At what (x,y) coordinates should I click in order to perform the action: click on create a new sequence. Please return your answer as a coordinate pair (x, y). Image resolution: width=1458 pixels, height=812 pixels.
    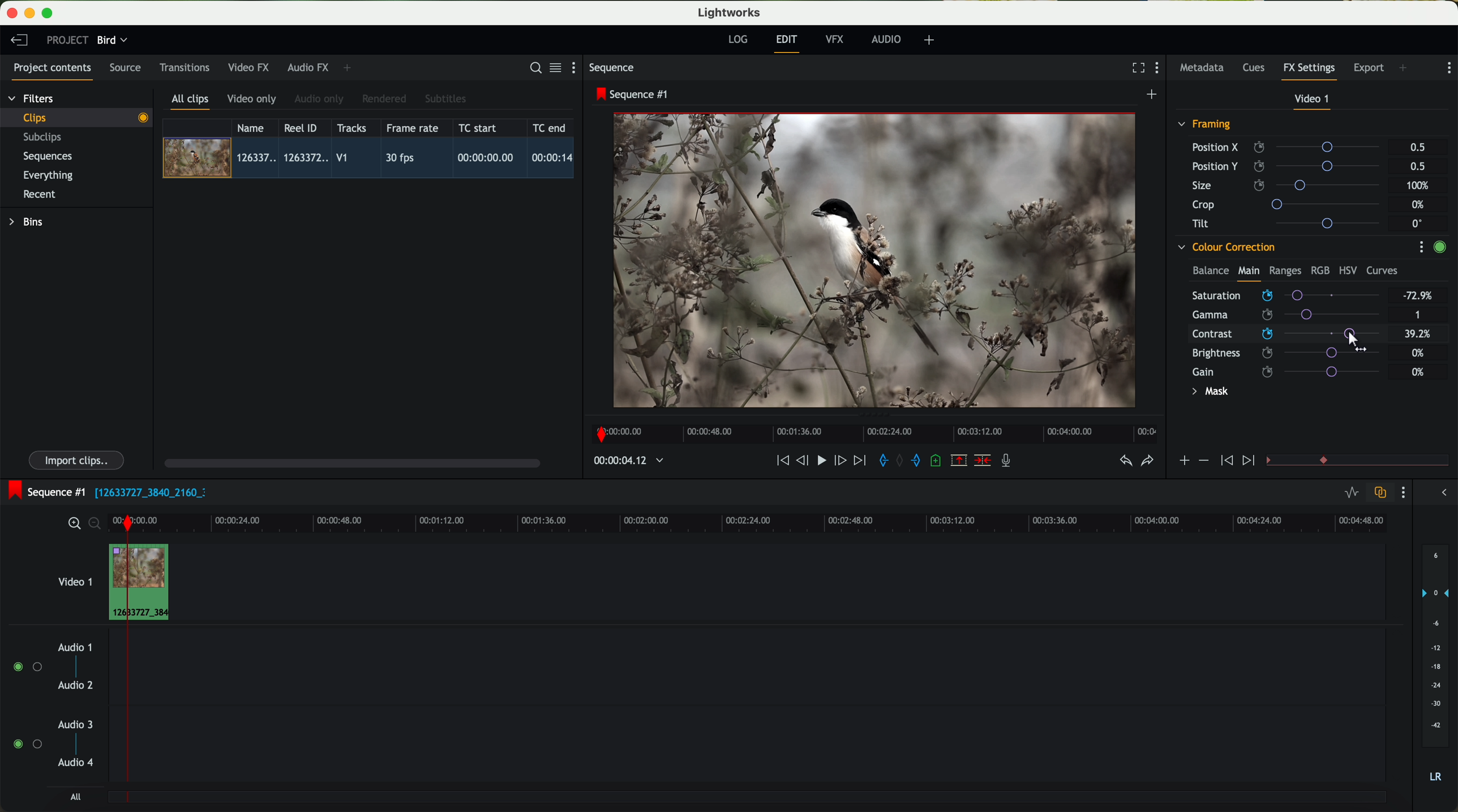
    Looking at the image, I should click on (1153, 95).